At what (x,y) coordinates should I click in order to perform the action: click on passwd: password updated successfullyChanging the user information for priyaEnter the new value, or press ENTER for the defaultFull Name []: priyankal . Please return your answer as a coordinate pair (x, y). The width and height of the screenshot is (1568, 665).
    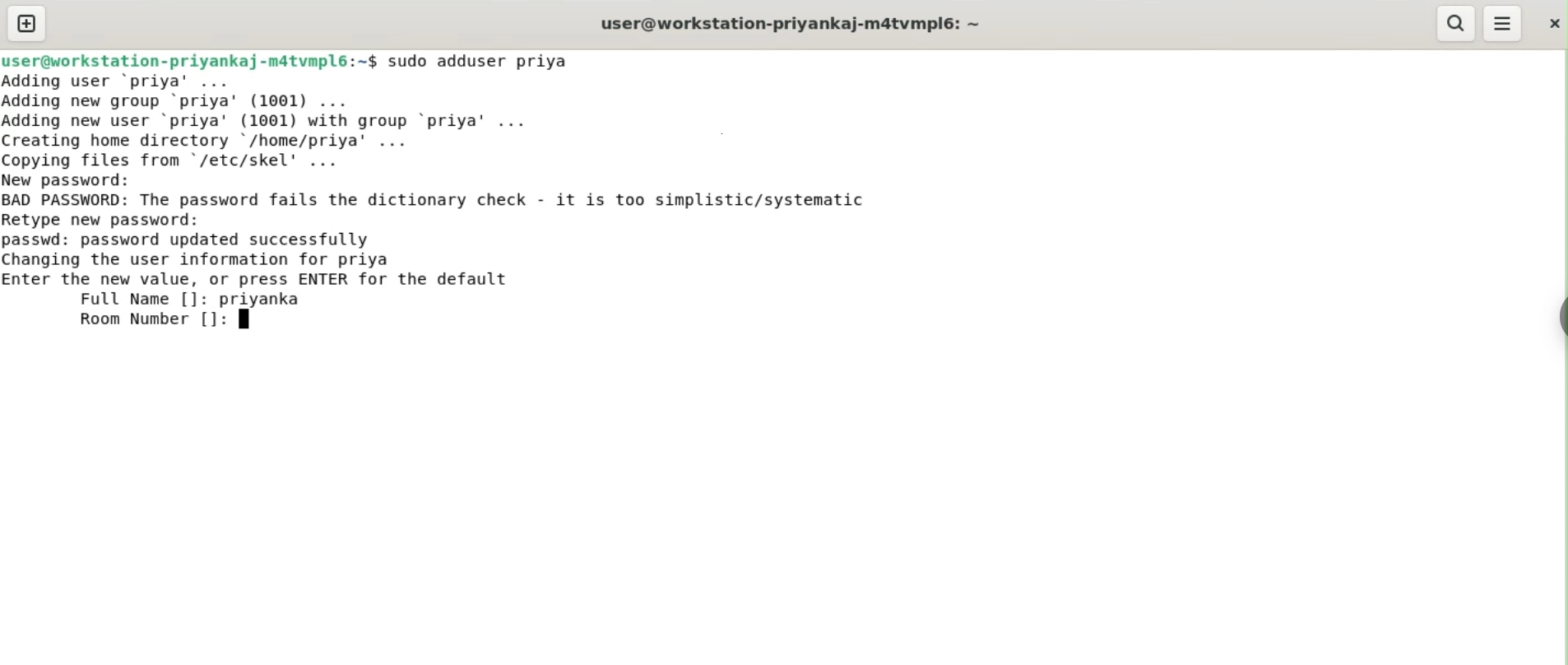
    Looking at the image, I should click on (258, 270).